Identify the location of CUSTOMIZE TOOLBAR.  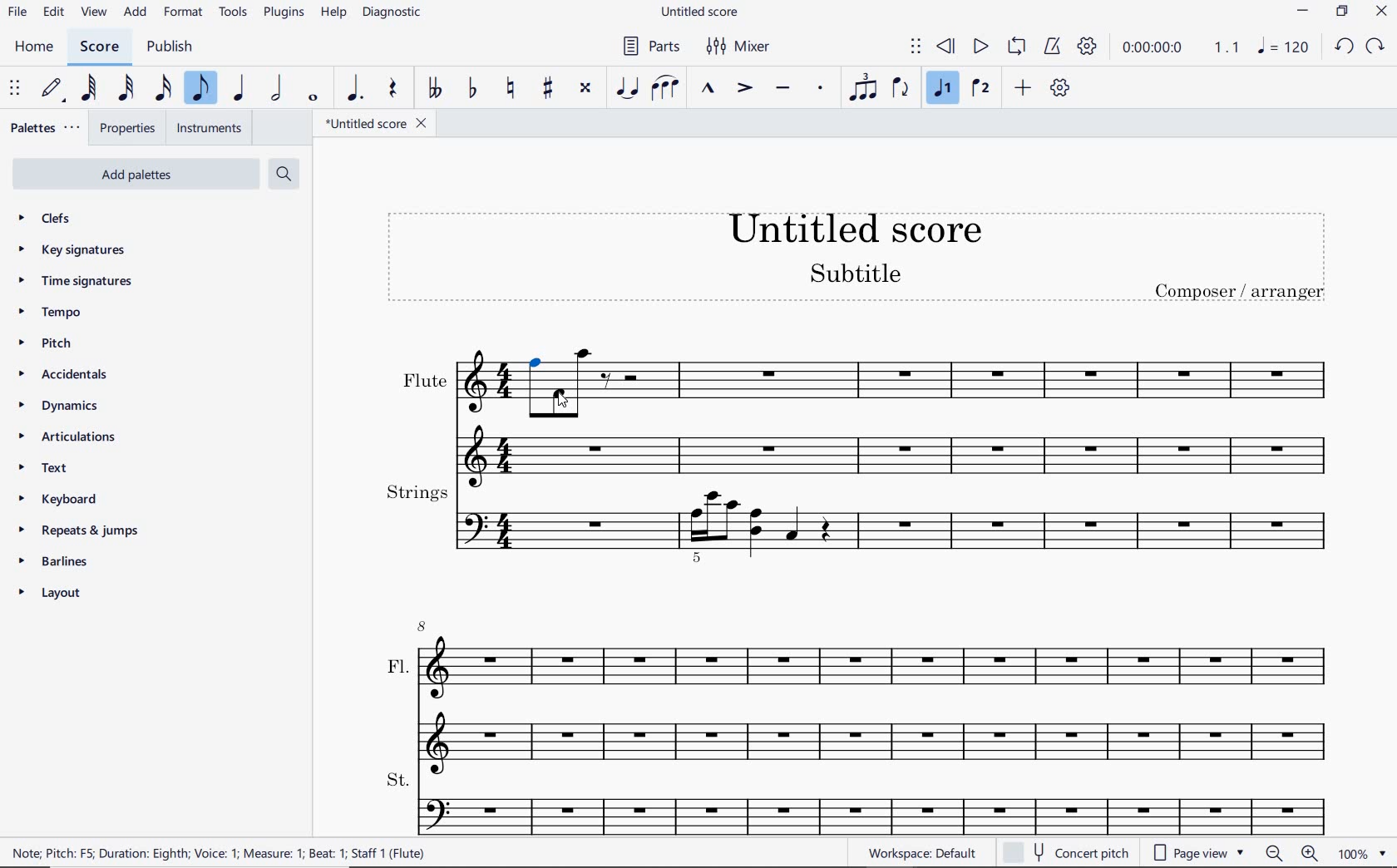
(1063, 88).